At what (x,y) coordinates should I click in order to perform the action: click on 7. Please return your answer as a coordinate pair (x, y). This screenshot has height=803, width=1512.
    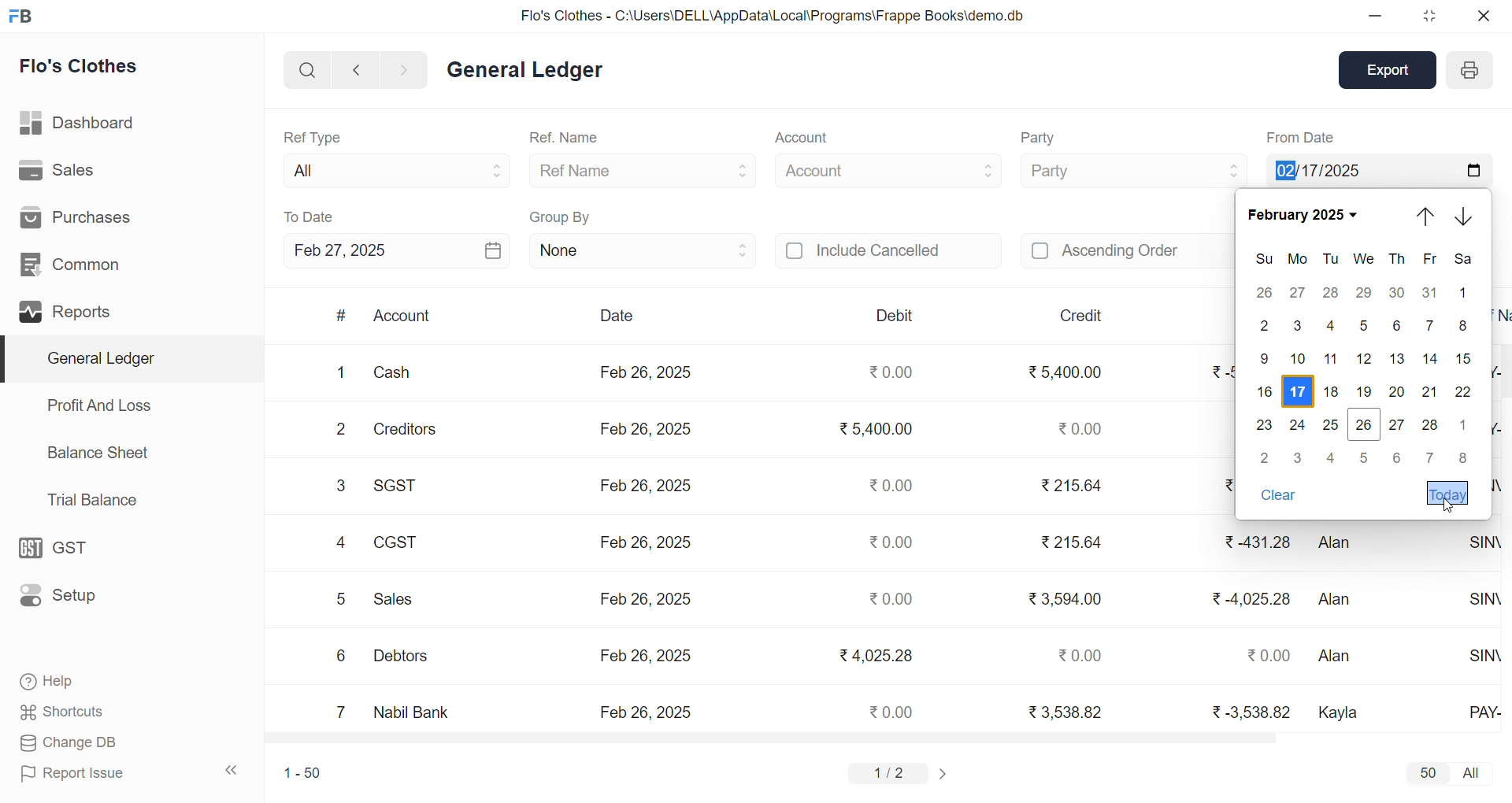
    Looking at the image, I should click on (341, 711).